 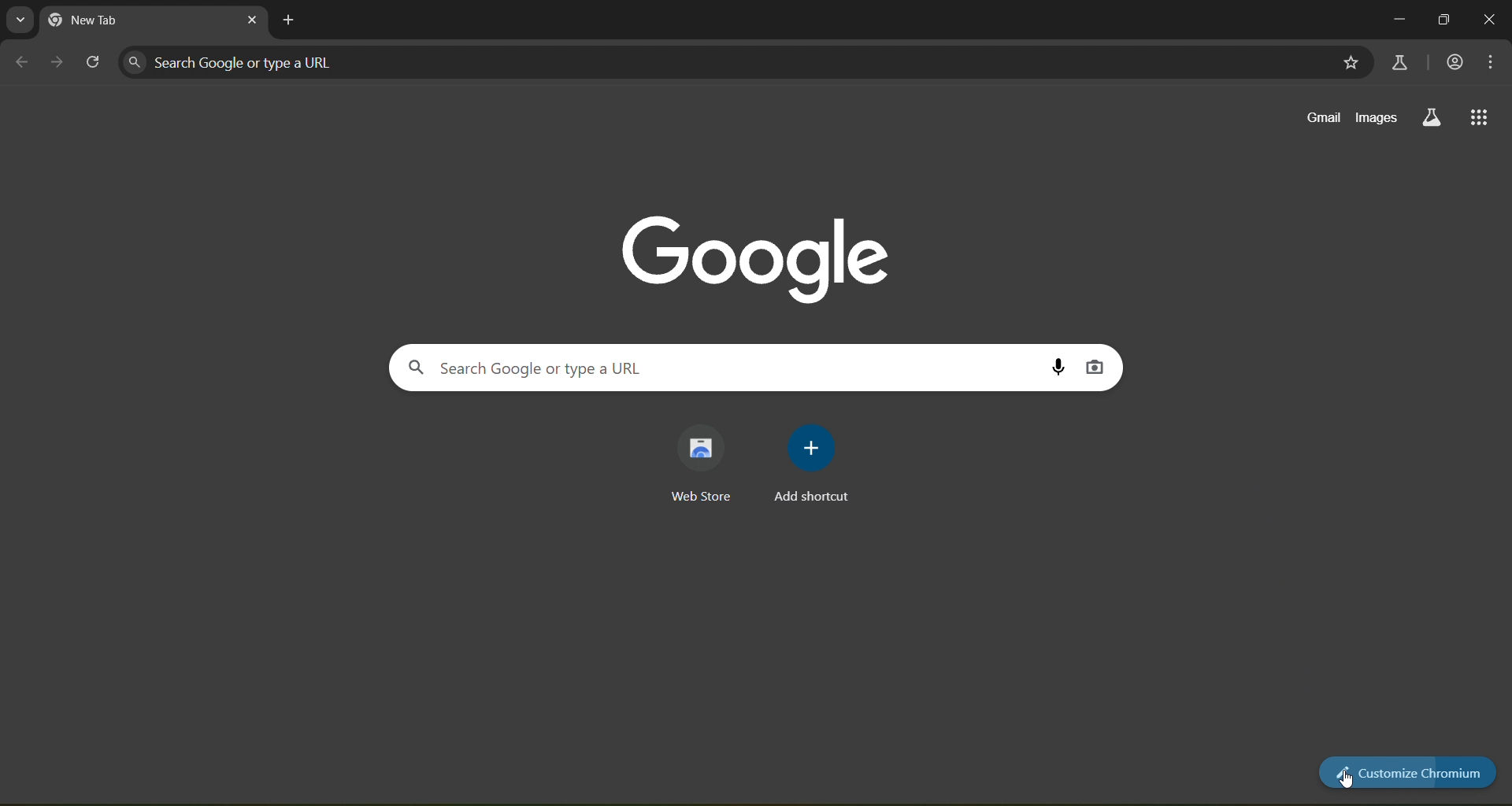 What do you see at coordinates (93, 59) in the screenshot?
I see `reload page` at bounding box center [93, 59].